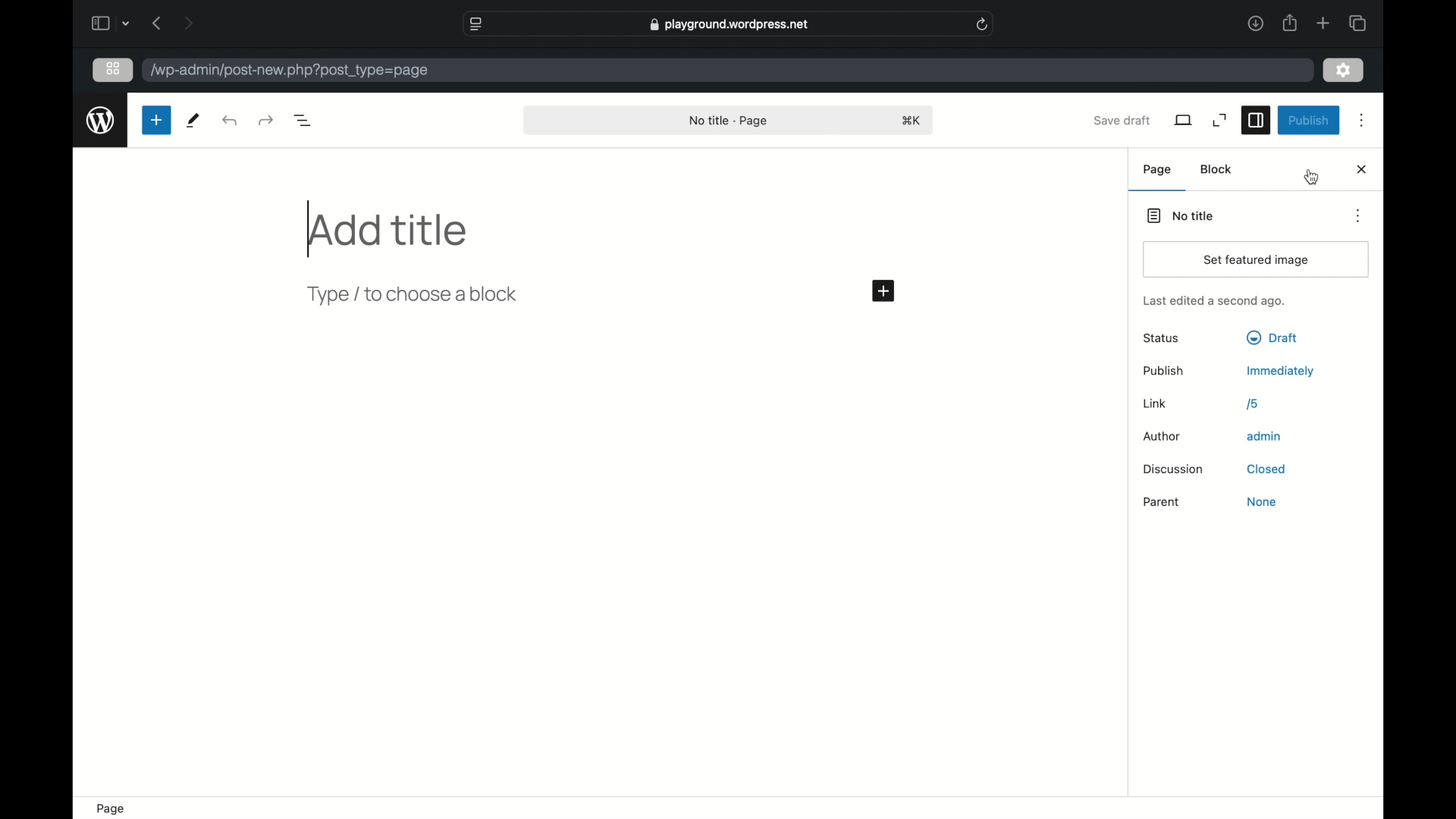 This screenshot has height=819, width=1456. Describe the element at coordinates (1164, 371) in the screenshot. I see `publish` at that location.